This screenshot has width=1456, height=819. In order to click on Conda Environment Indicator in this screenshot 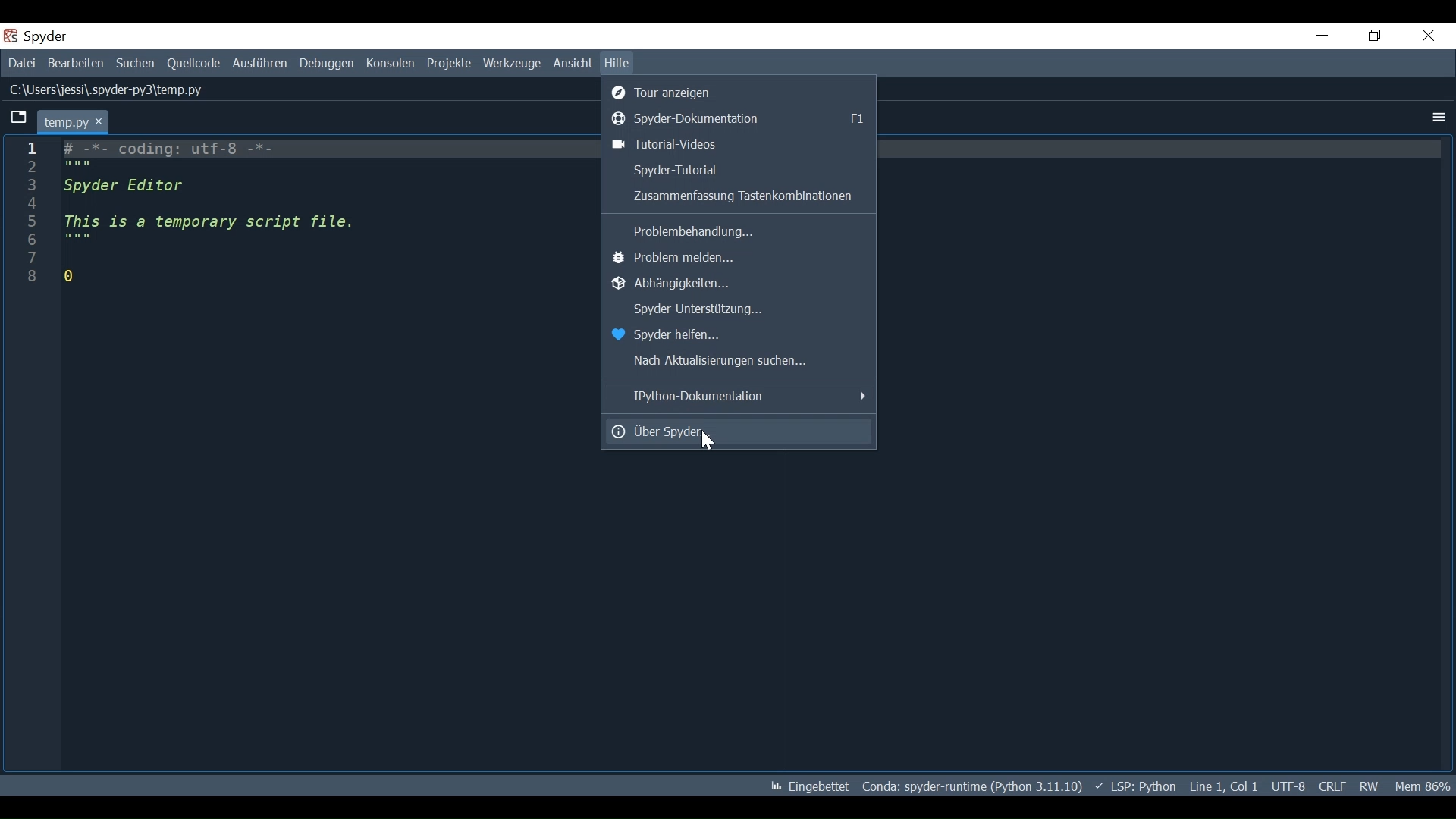, I will do `click(973, 786)`.